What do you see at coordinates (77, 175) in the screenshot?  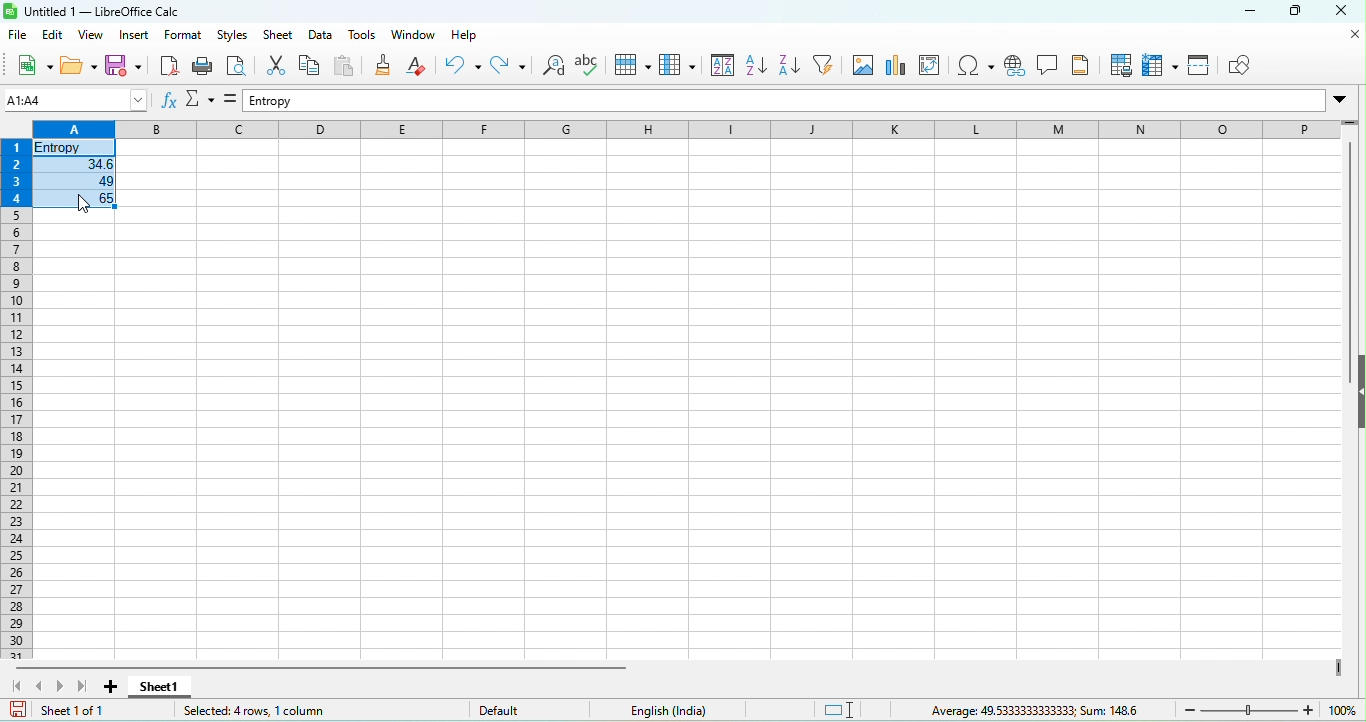 I see `selected cells` at bounding box center [77, 175].